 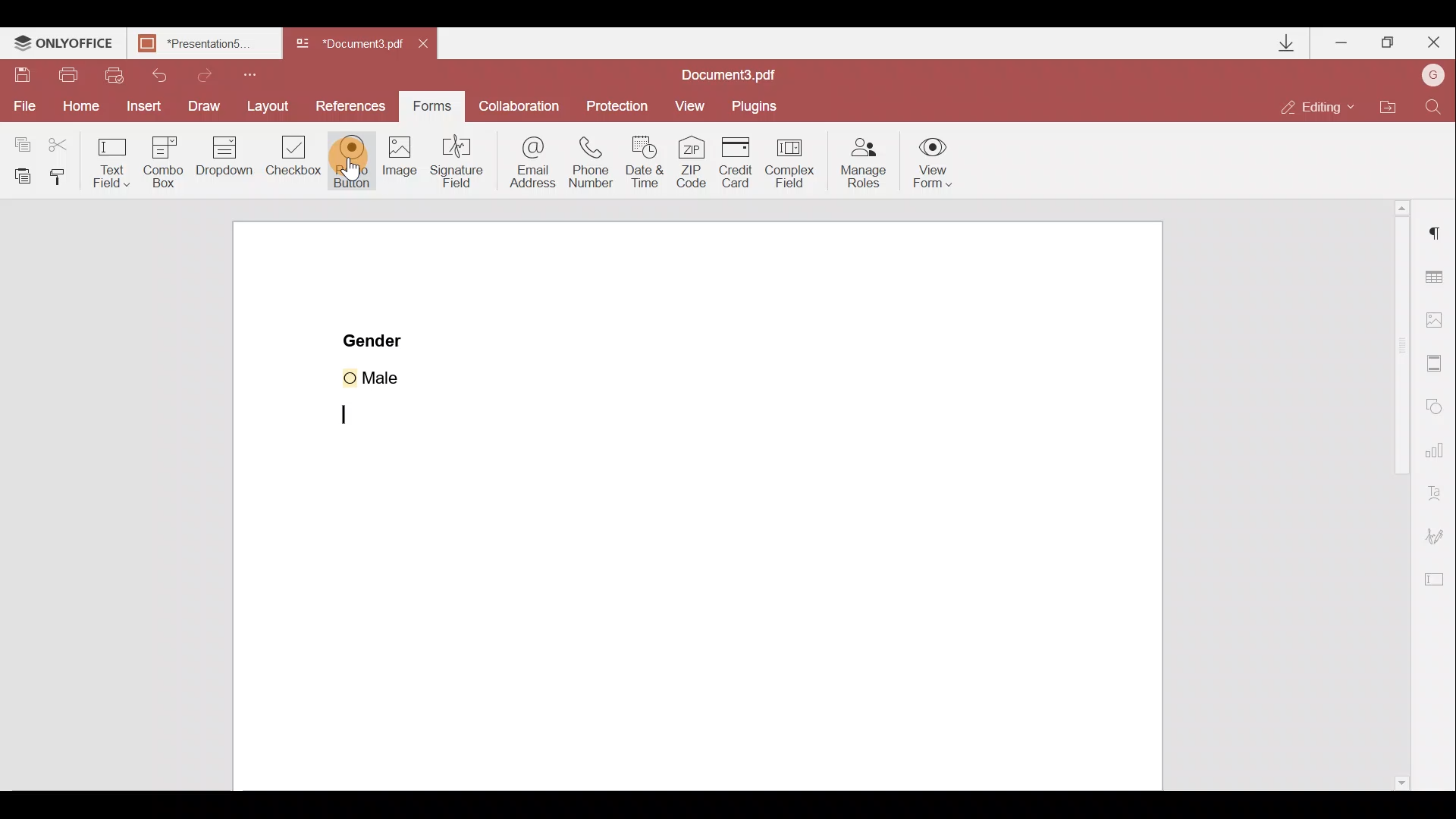 I want to click on Image settings, so click(x=1442, y=321).